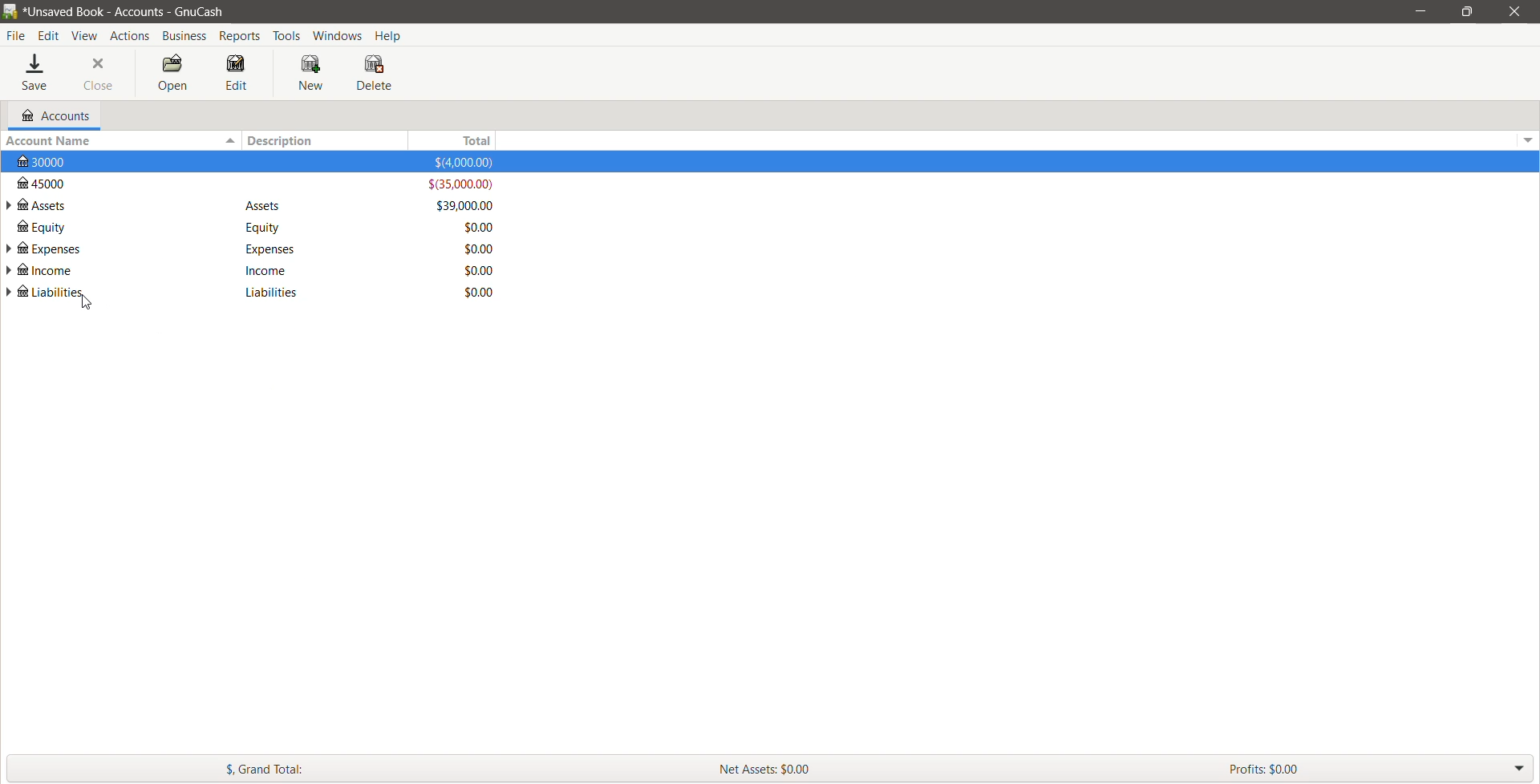 This screenshot has width=1540, height=784. What do you see at coordinates (1526, 136) in the screenshot?
I see `options` at bounding box center [1526, 136].